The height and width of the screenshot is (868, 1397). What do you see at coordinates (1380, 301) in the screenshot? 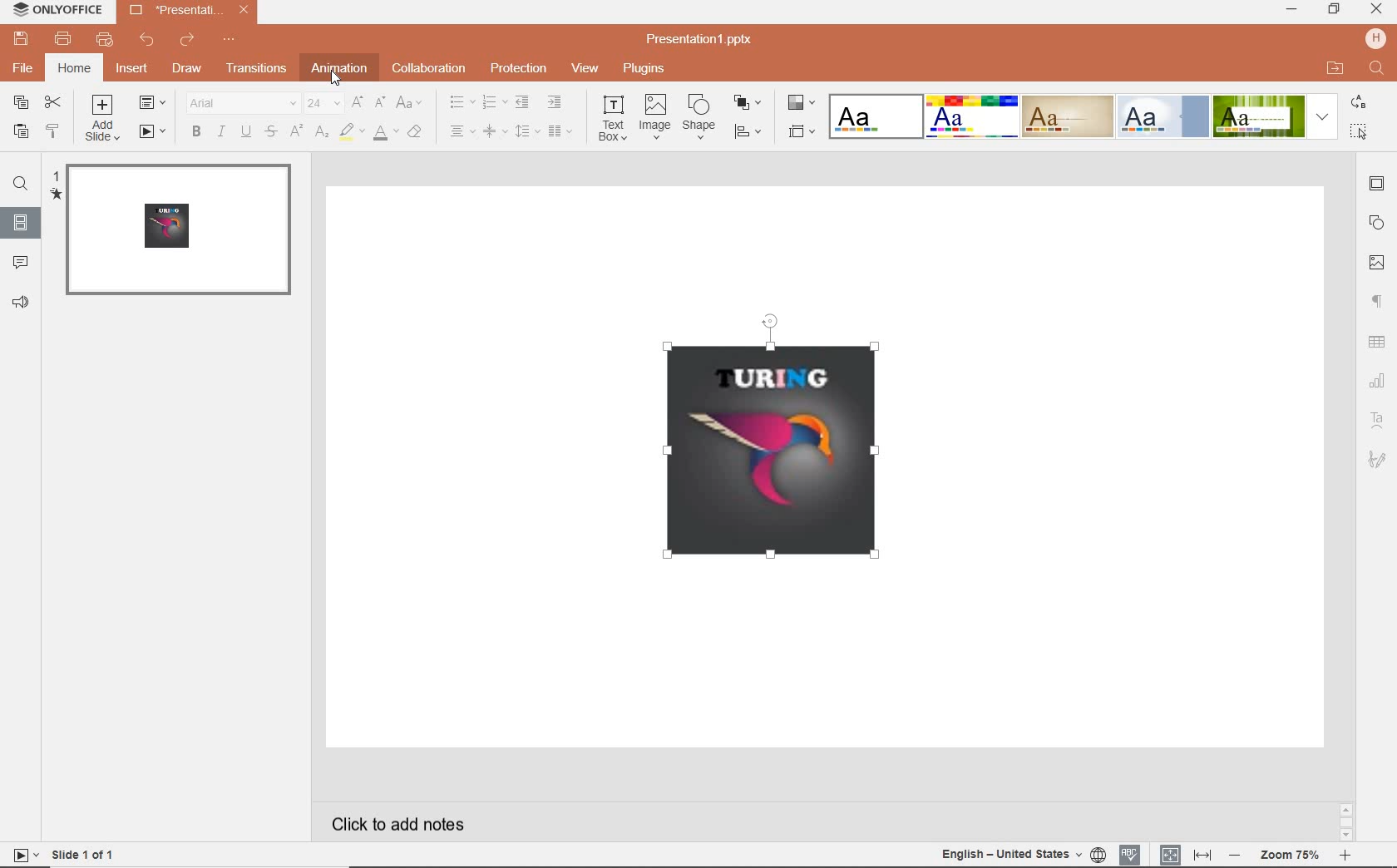
I see `paragraph settings` at bounding box center [1380, 301].